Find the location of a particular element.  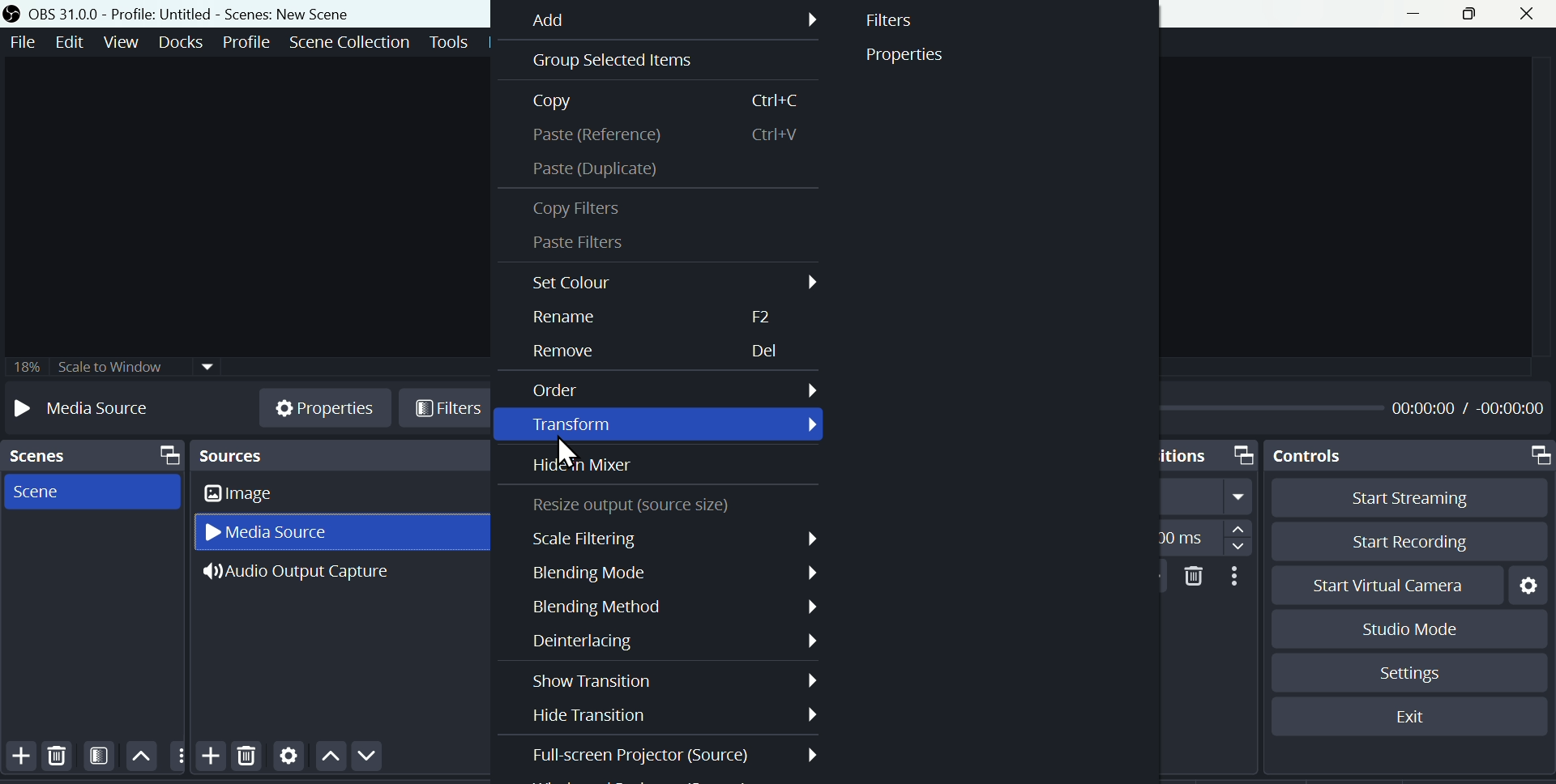

View is located at coordinates (121, 41).